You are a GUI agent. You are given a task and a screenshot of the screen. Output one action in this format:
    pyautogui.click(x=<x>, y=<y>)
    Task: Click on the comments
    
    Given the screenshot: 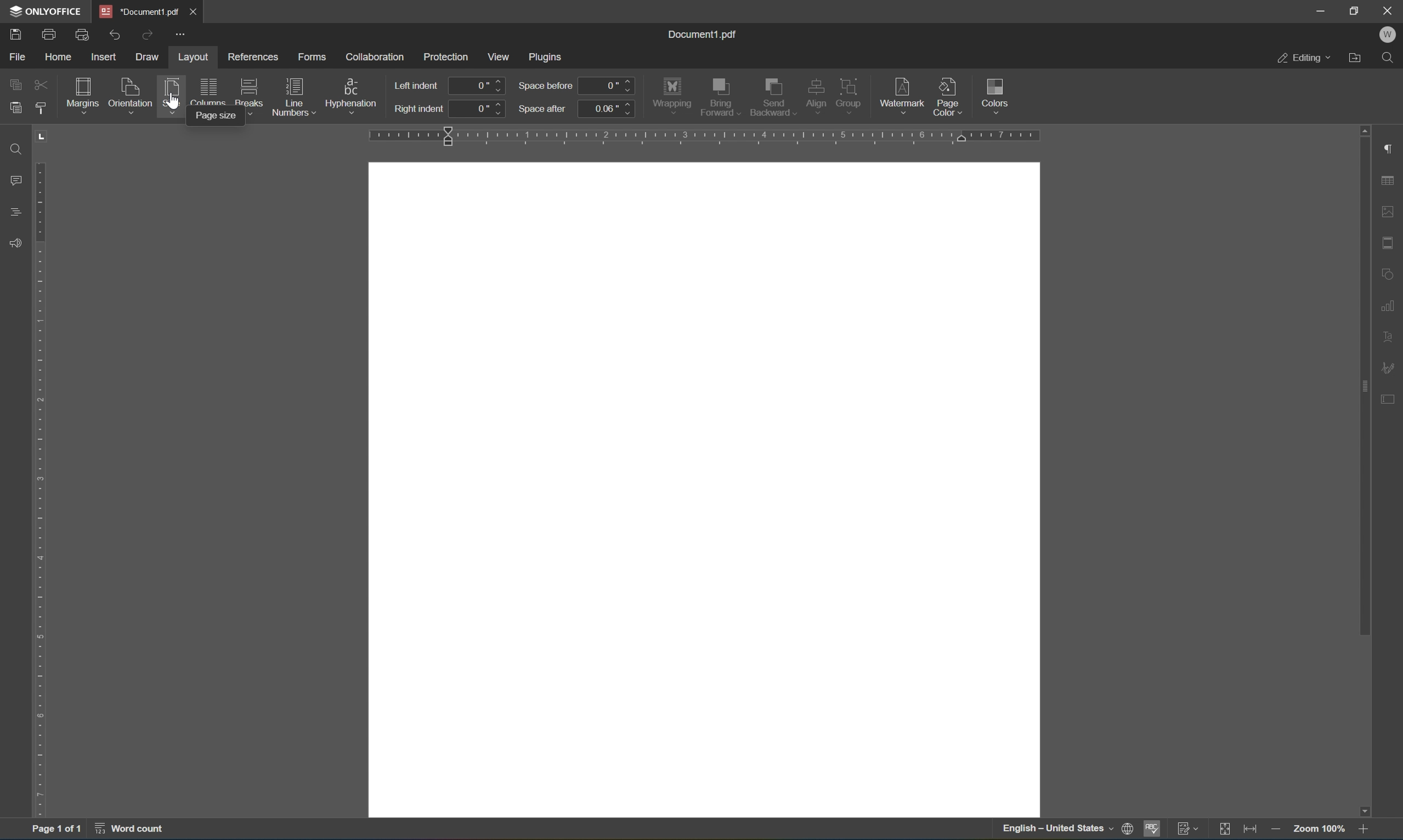 What is the action you would take?
    pyautogui.click(x=13, y=181)
    